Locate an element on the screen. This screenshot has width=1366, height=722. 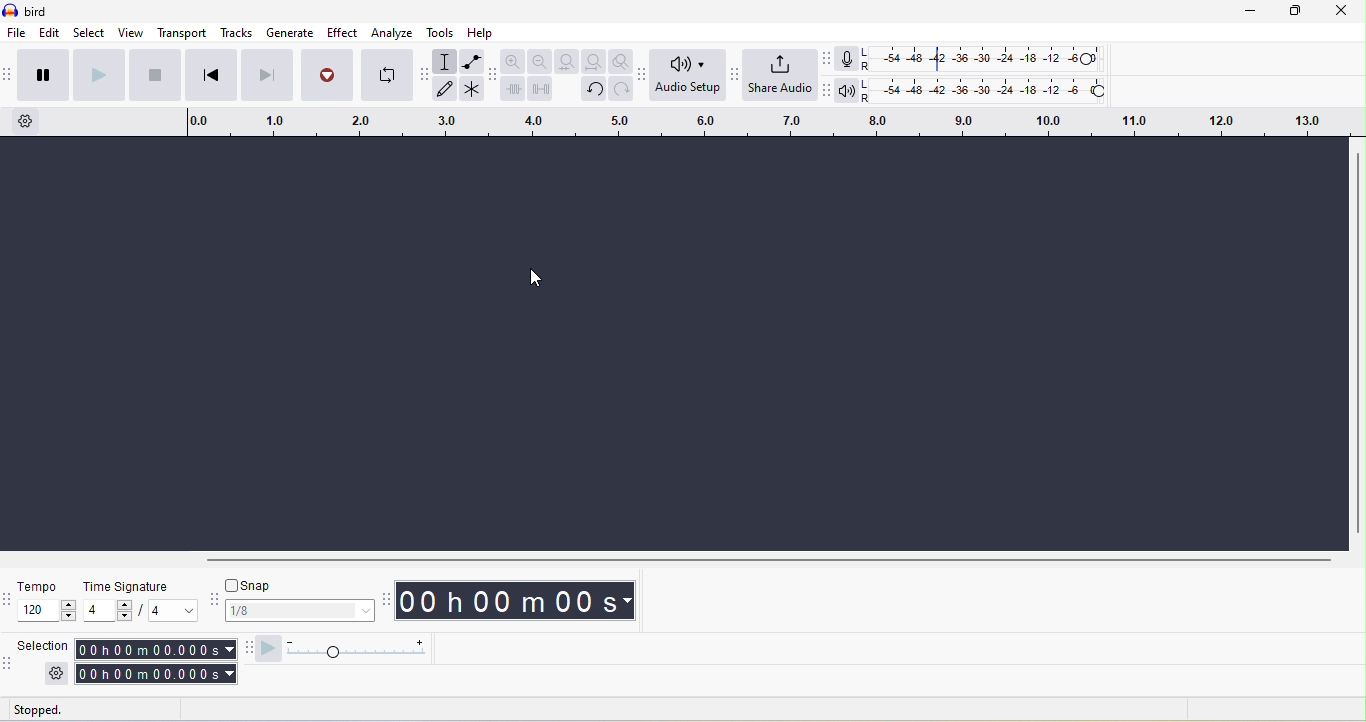
play at speed is located at coordinates (356, 649).